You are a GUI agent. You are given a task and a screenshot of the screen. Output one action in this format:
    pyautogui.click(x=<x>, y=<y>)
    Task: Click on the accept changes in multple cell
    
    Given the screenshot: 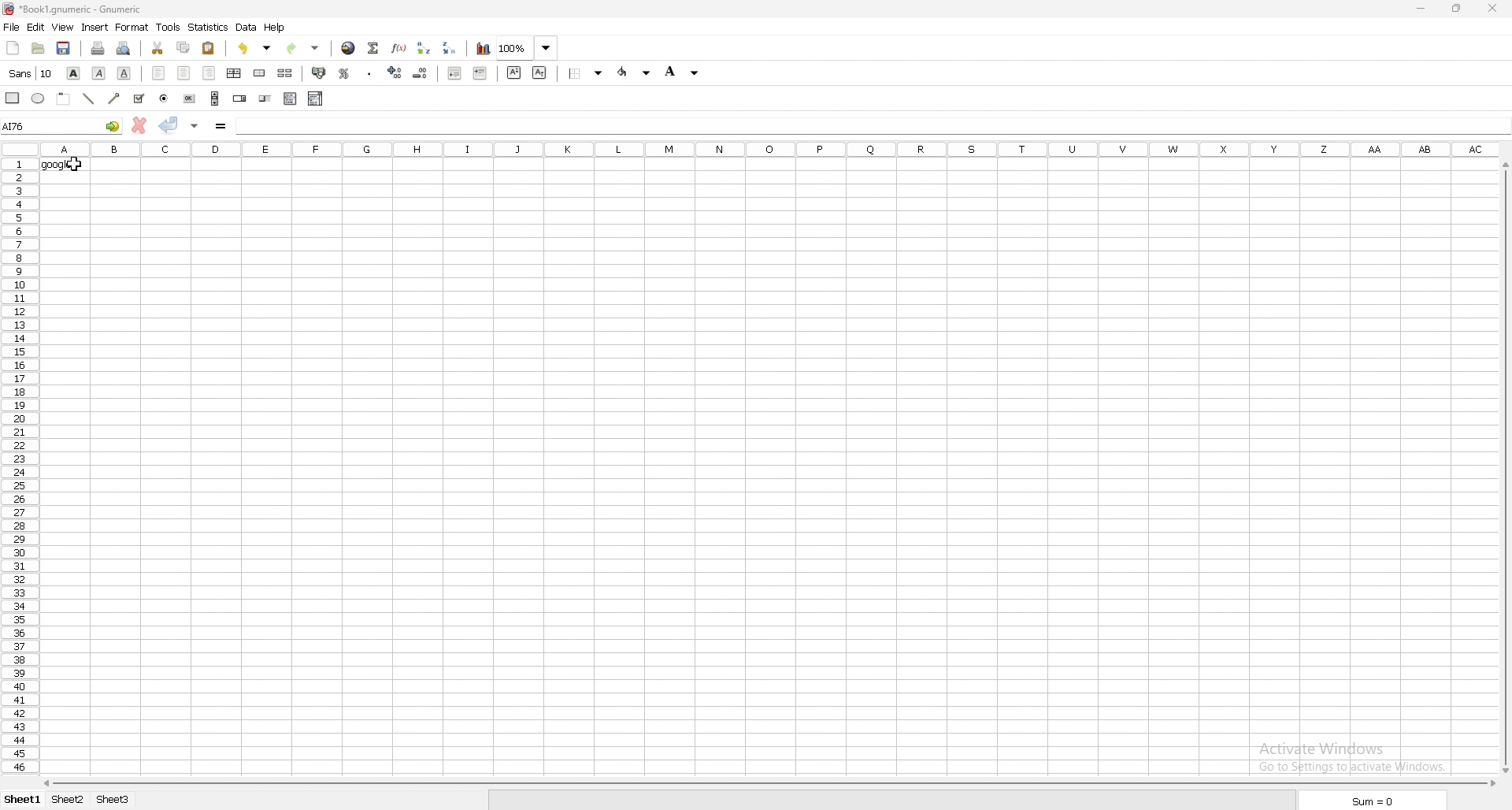 What is the action you would take?
    pyautogui.click(x=196, y=126)
    